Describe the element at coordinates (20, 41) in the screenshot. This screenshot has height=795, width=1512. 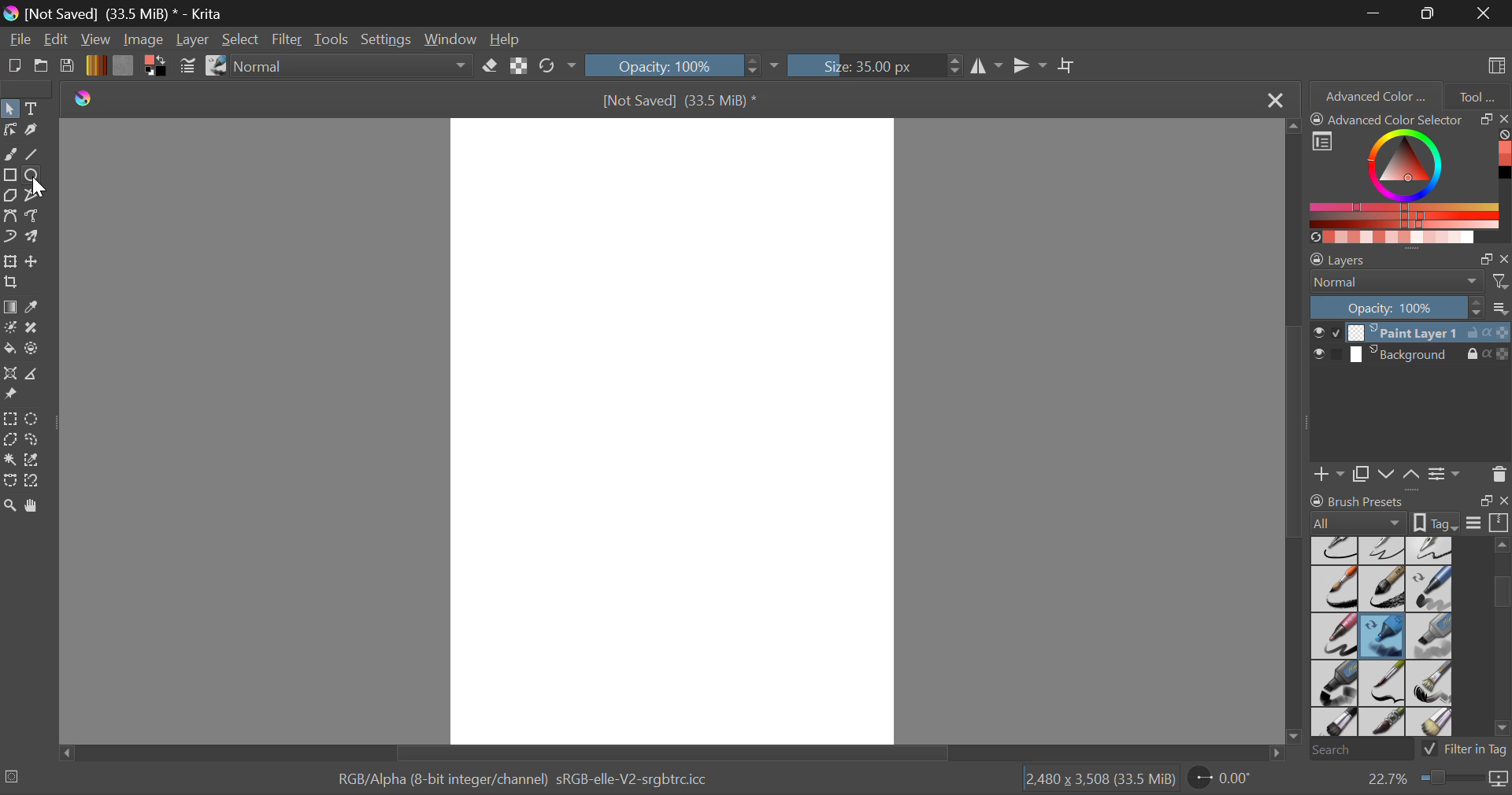
I see `File` at that location.